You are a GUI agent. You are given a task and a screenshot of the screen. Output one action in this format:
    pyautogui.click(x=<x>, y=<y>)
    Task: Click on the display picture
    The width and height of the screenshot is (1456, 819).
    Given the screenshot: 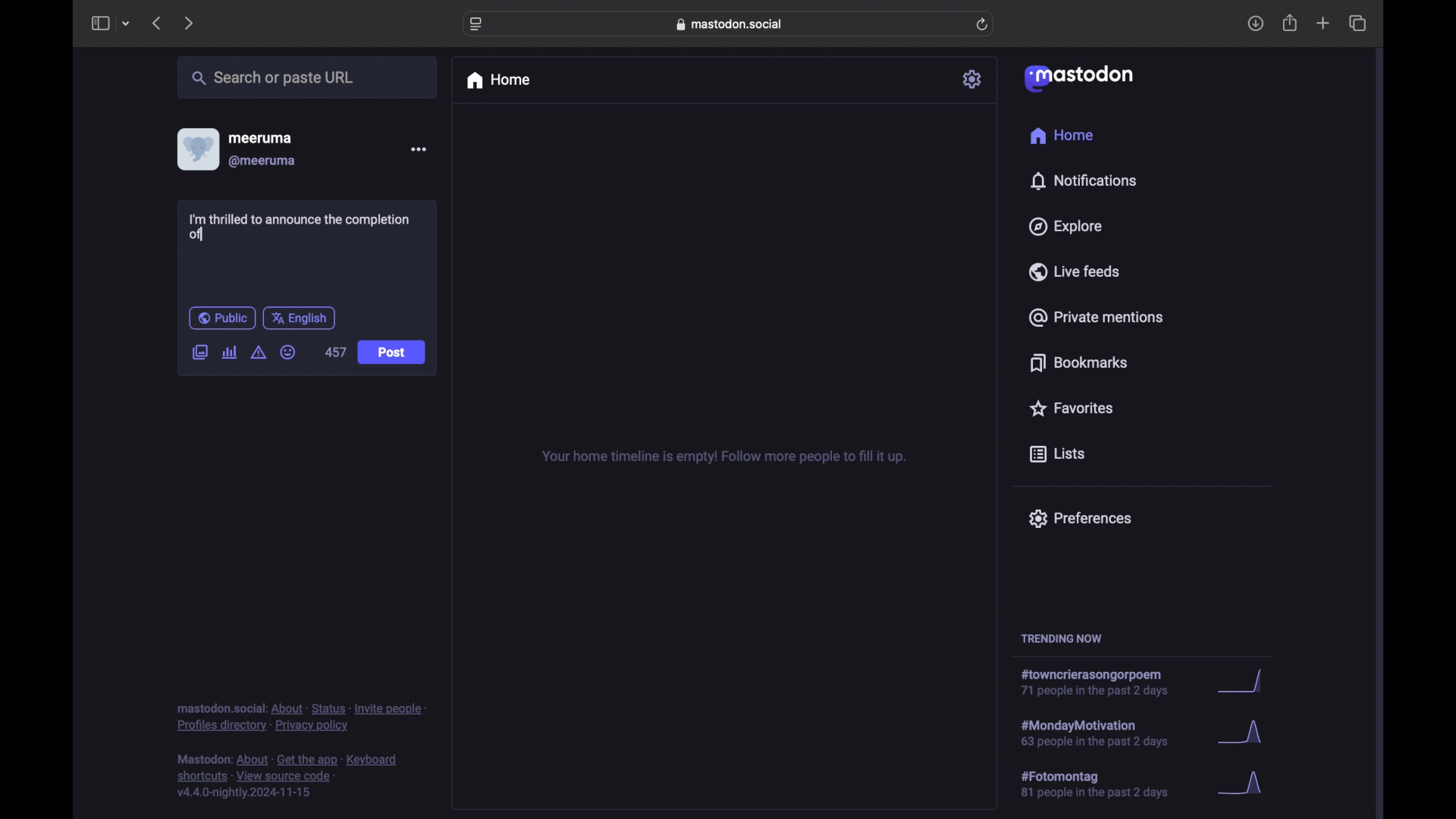 What is the action you would take?
    pyautogui.click(x=196, y=149)
    